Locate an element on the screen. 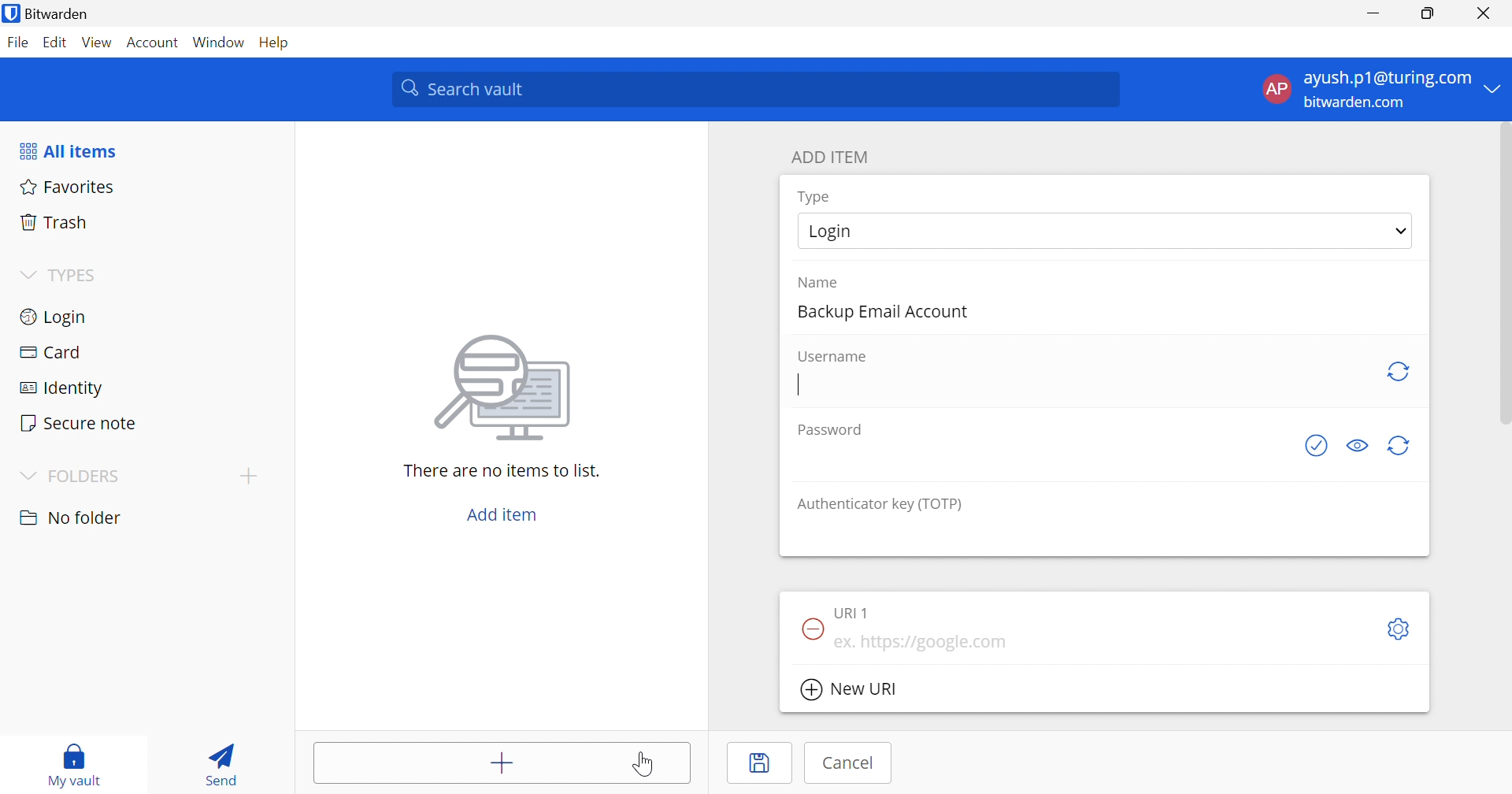 This screenshot has height=794, width=1512. Backup Email Account is located at coordinates (880, 313).